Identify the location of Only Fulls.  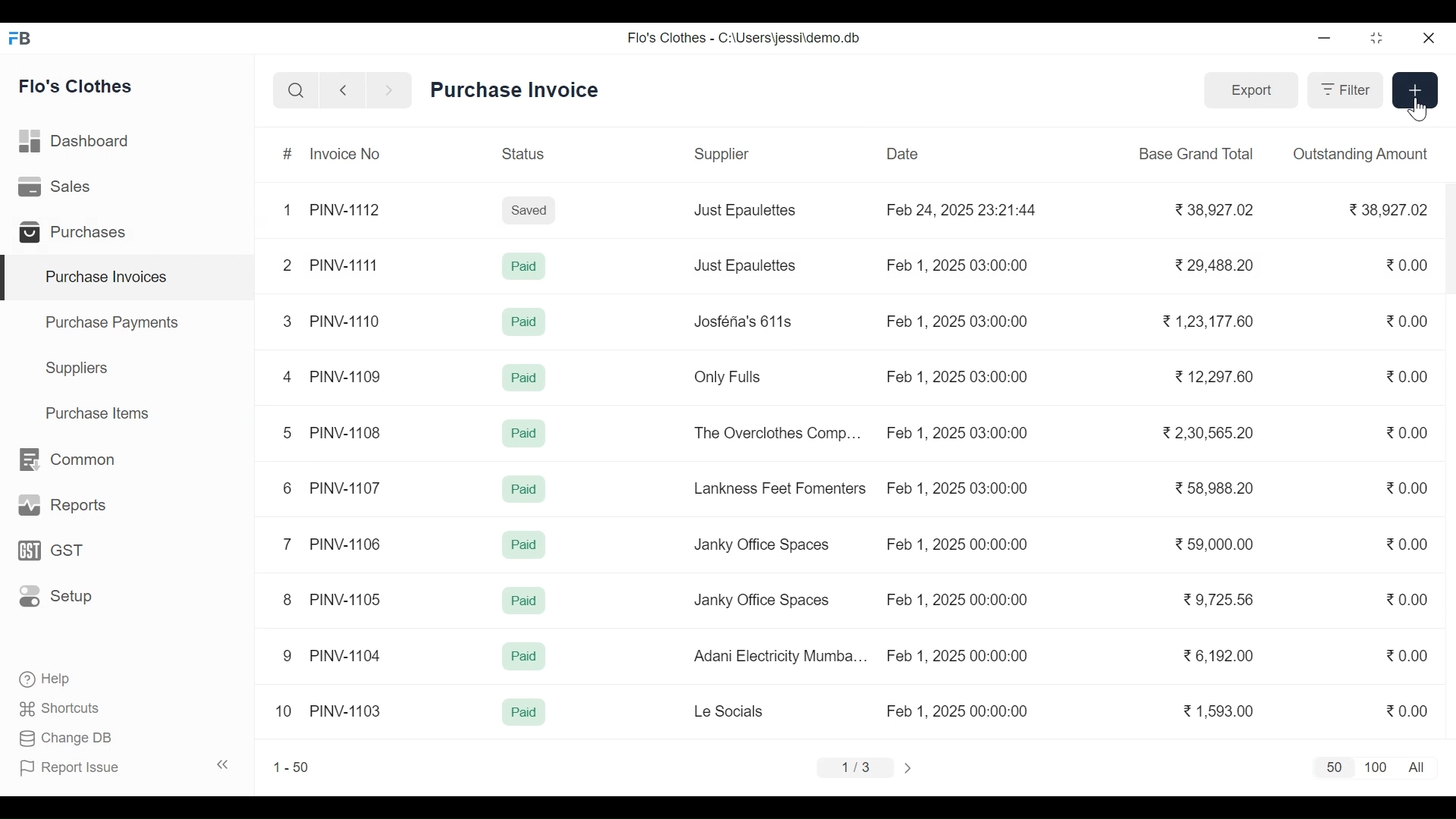
(731, 376).